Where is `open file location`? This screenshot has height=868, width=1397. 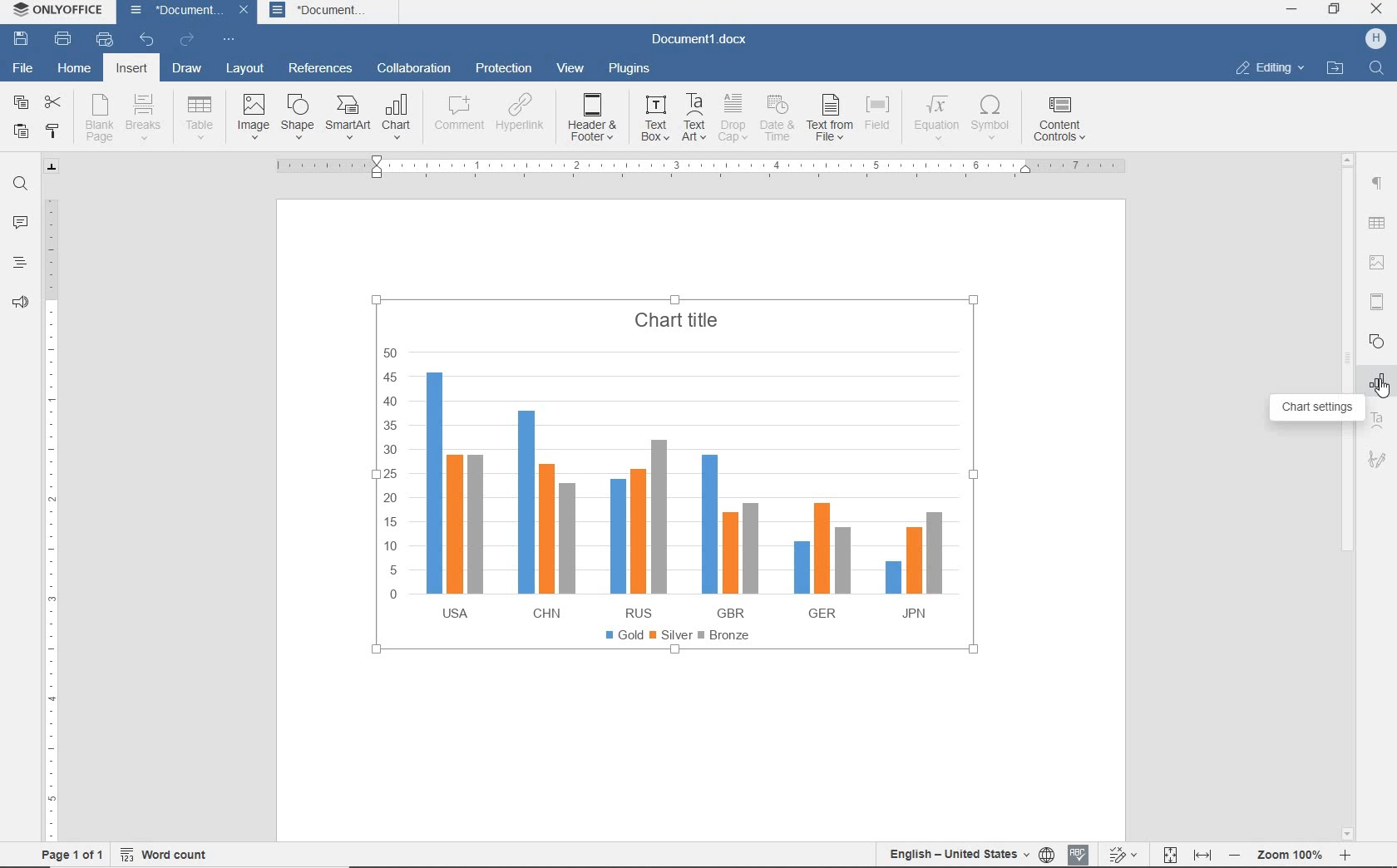
open file location is located at coordinates (1335, 69).